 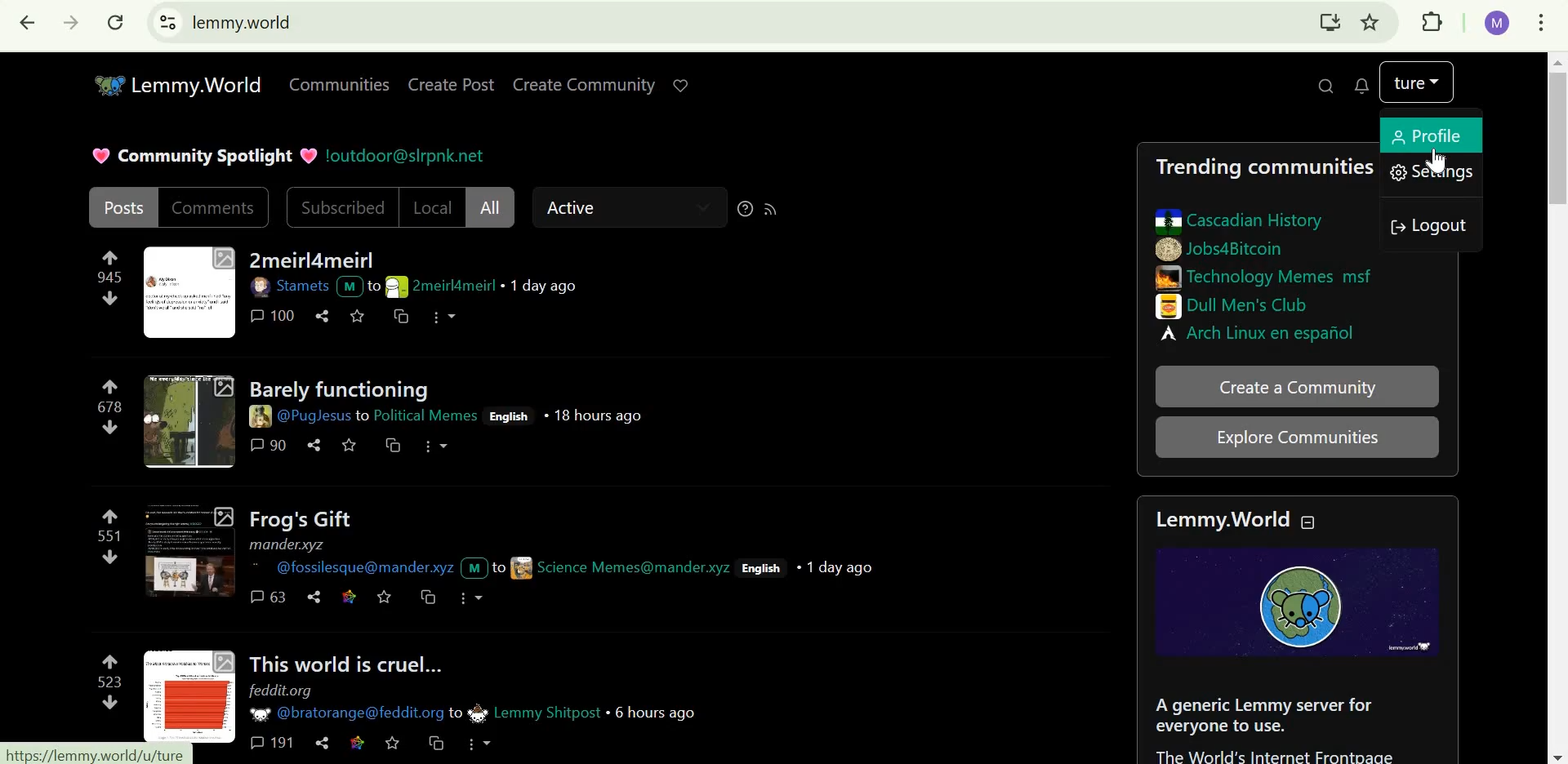 What do you see at coordinates (1557, 407) in the screenshot?
I see `scrollbar` at bounding box center [1557, 407].